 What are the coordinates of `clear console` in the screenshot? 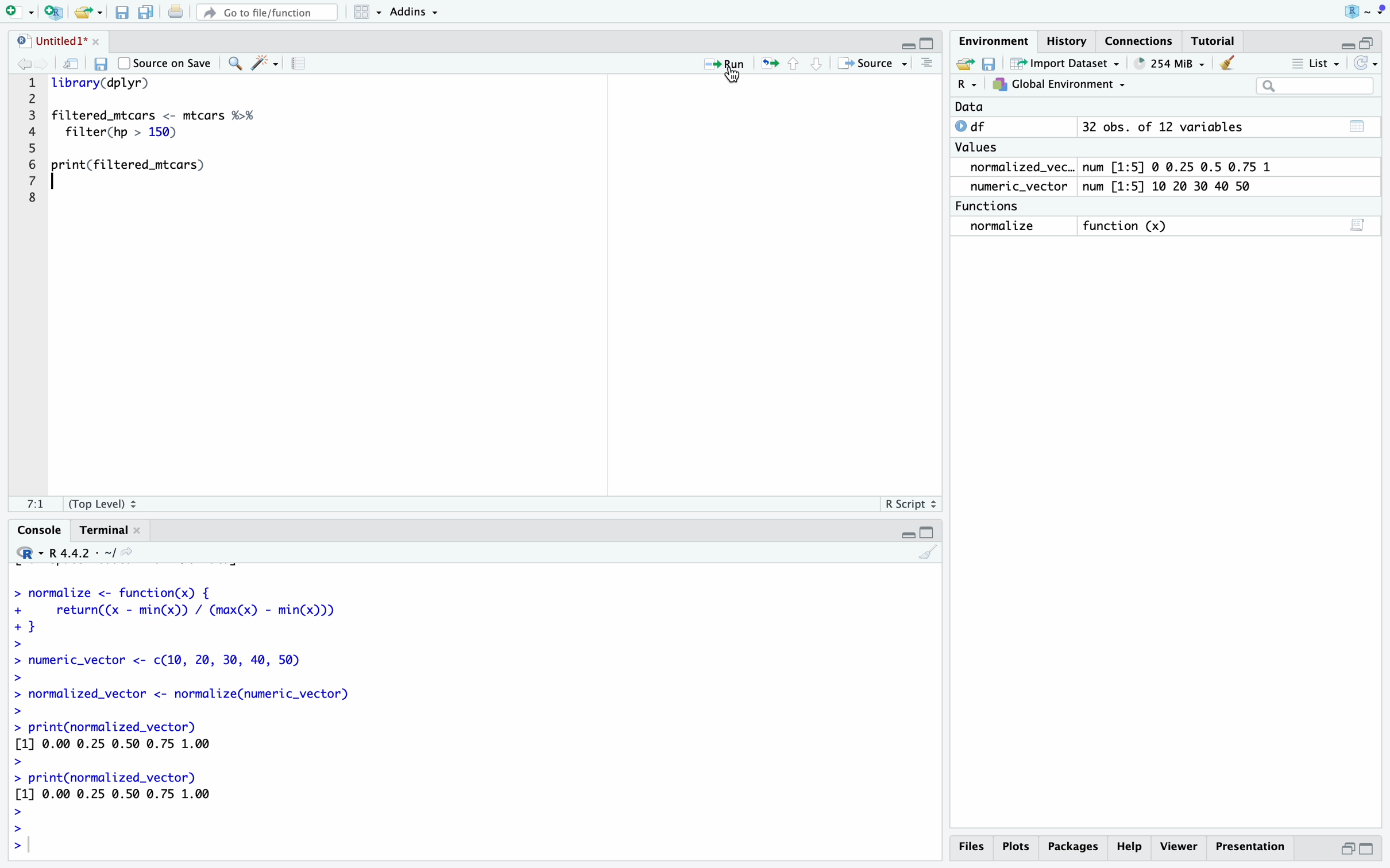 It's located at (928, 555).